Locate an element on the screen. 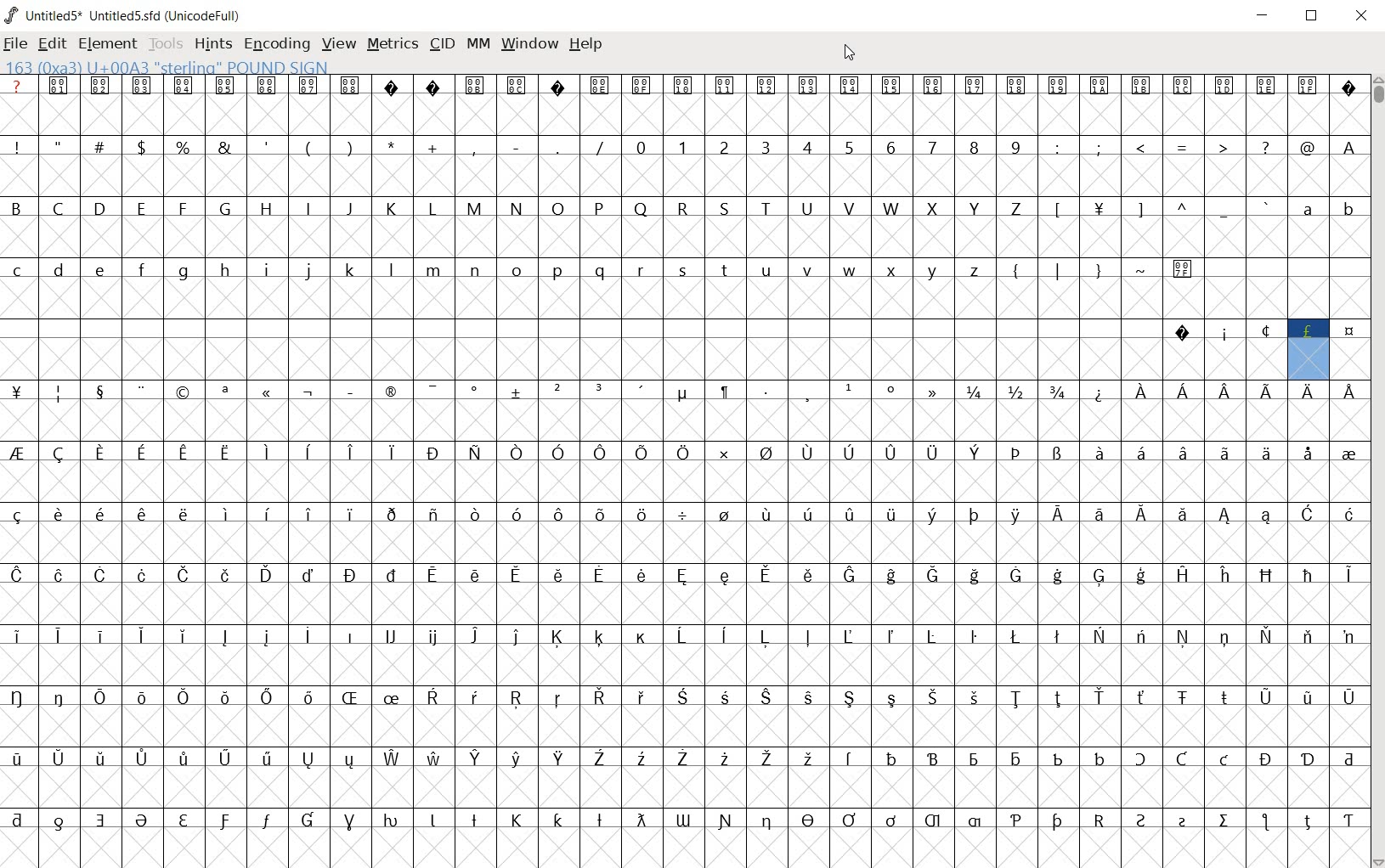  METRICS is located at coordinates (392, 43).